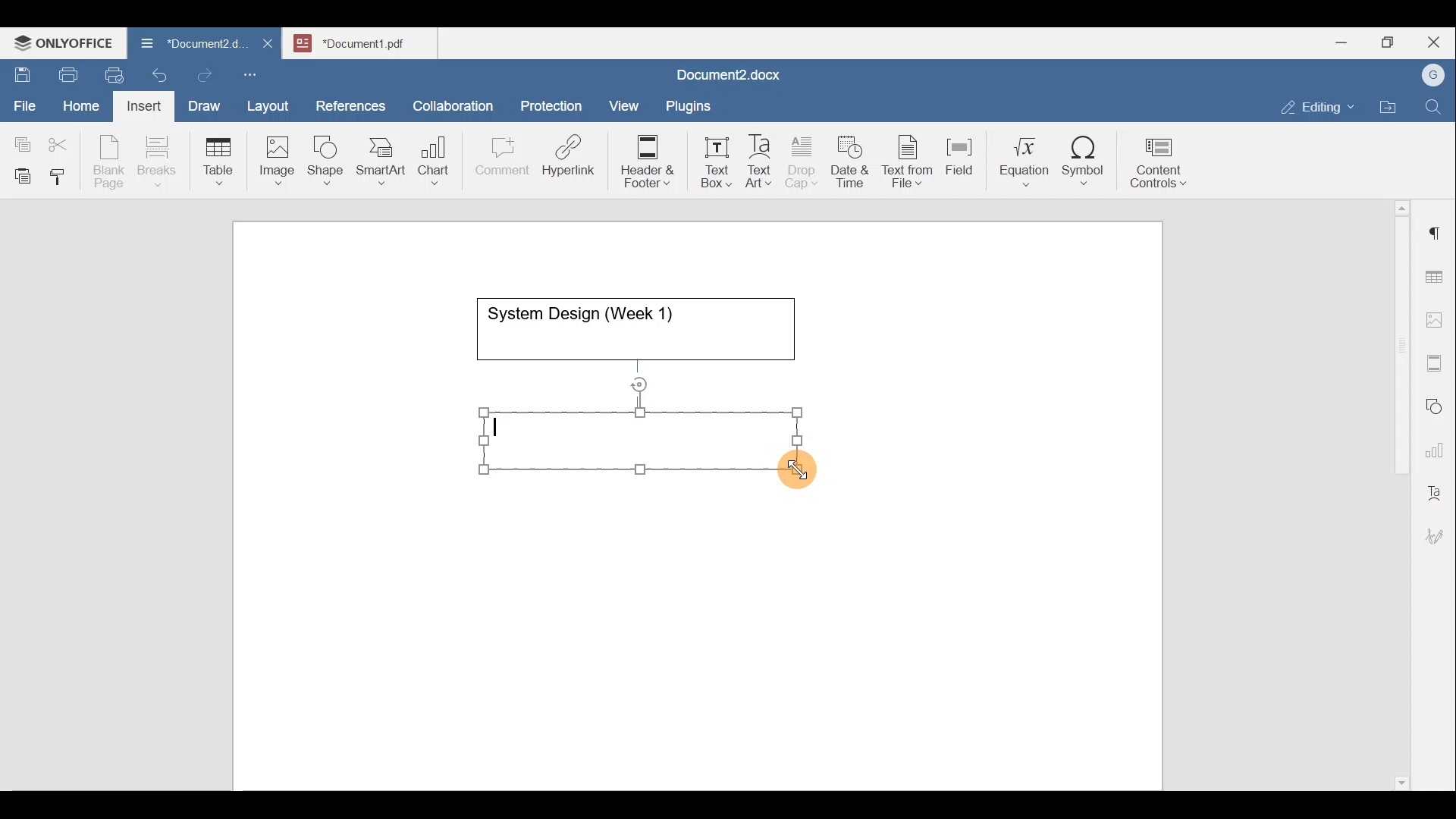 This screenshot has height=819, width=1456. I want to click on Editing mode, so click(1318, 104).